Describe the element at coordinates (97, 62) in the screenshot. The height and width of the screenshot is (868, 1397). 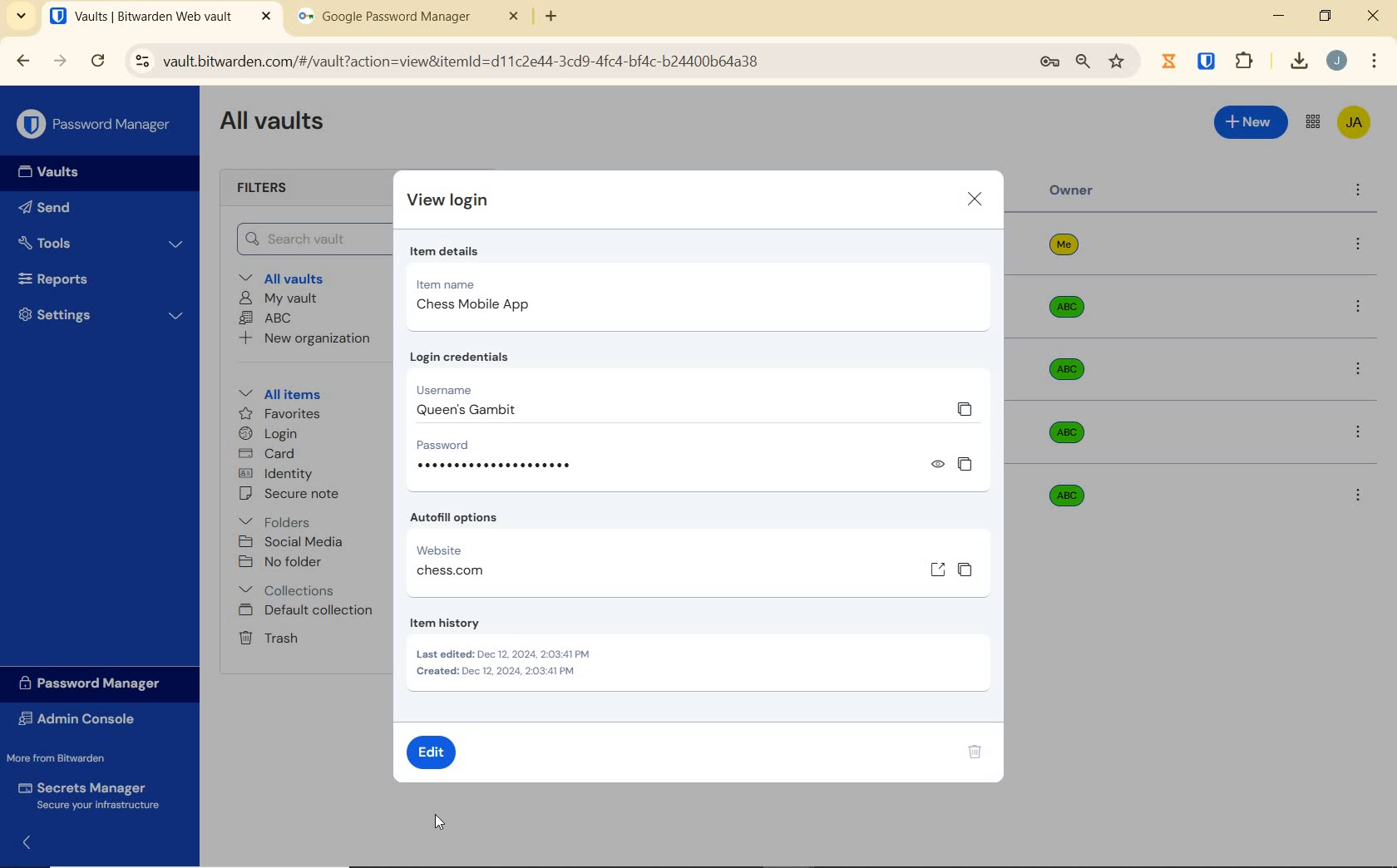
I see `reload` at that location.